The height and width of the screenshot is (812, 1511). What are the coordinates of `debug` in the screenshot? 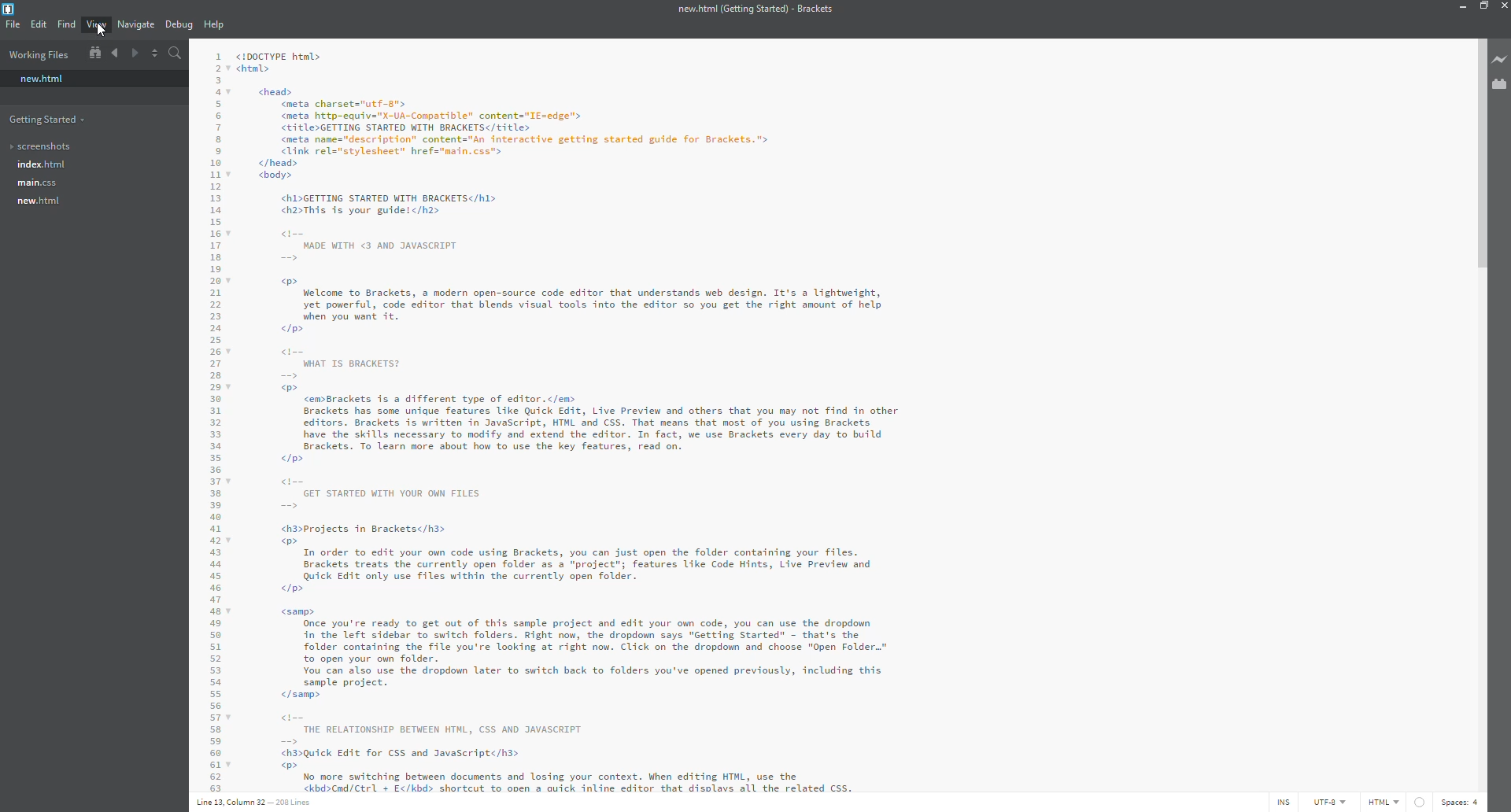 It's located at (177, 25).